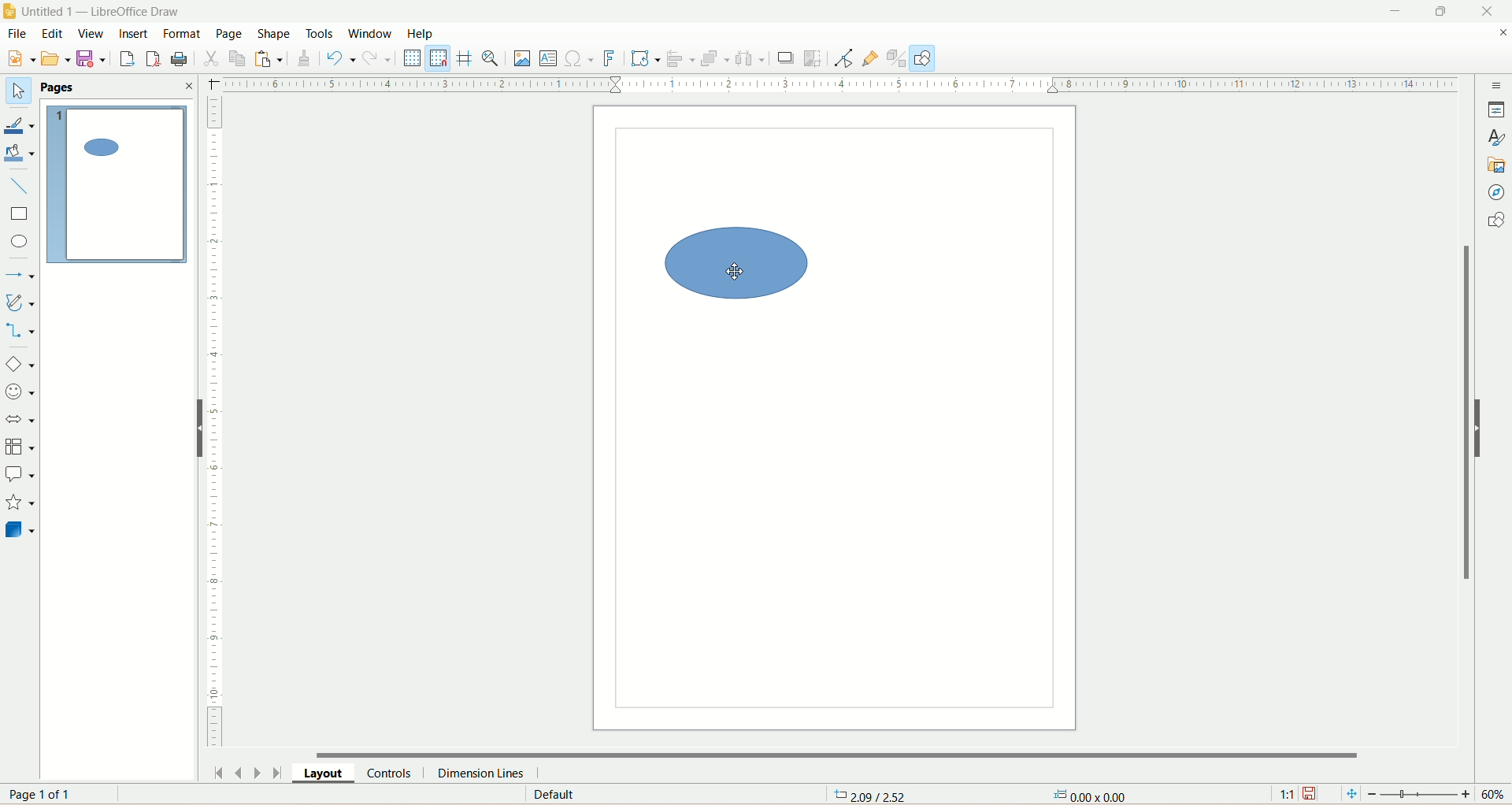 This screenshot has height=805, width=1512. I want to click on properties, so click(1496, 109).